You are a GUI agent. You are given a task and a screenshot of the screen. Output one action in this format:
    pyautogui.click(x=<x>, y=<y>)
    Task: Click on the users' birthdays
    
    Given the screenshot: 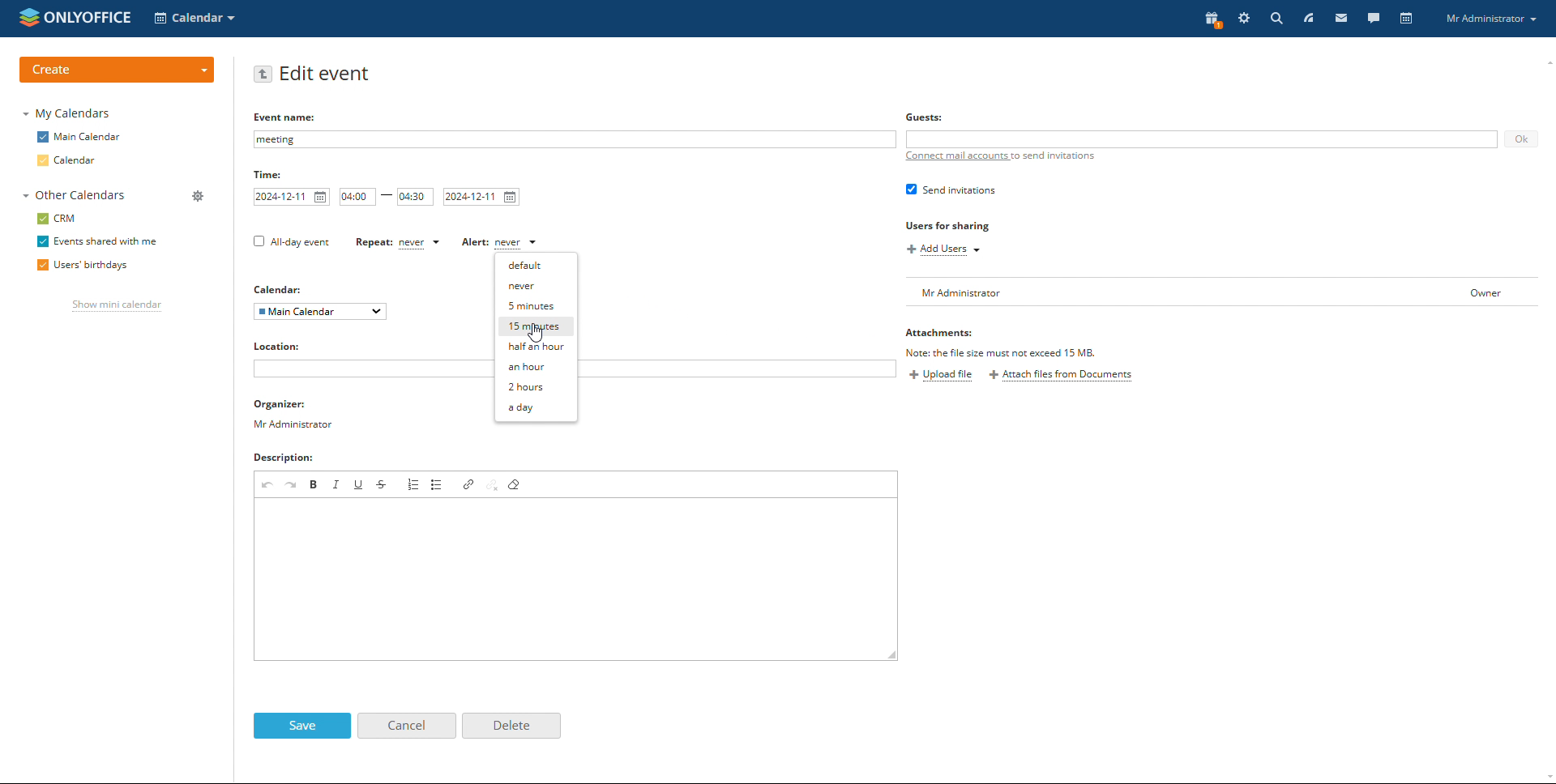 What is the action you would take?
    pyautogui.click(x=79, y=266)
    